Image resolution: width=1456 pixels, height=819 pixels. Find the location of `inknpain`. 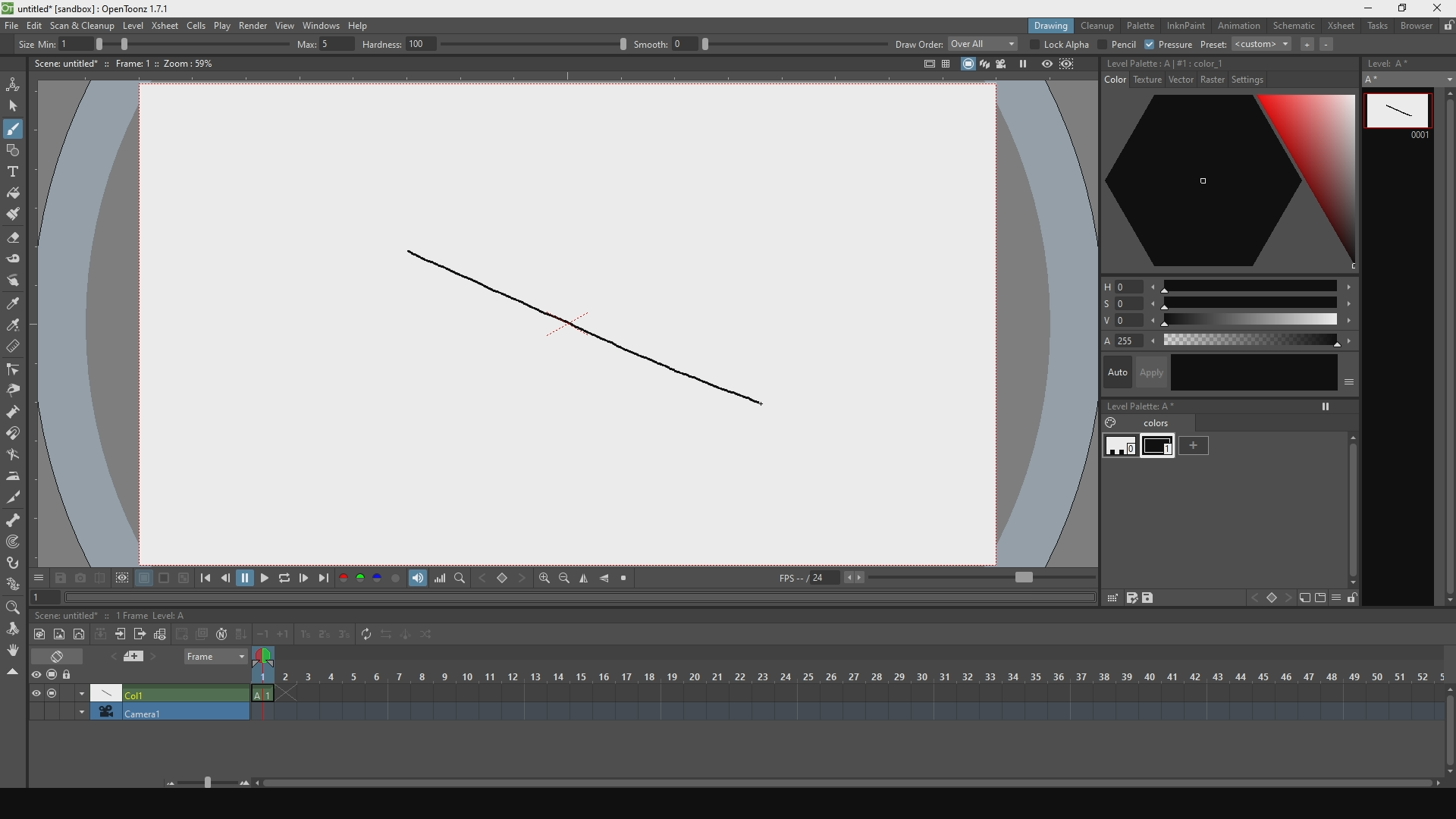

inknpain is located at coordinates (1188, 27).